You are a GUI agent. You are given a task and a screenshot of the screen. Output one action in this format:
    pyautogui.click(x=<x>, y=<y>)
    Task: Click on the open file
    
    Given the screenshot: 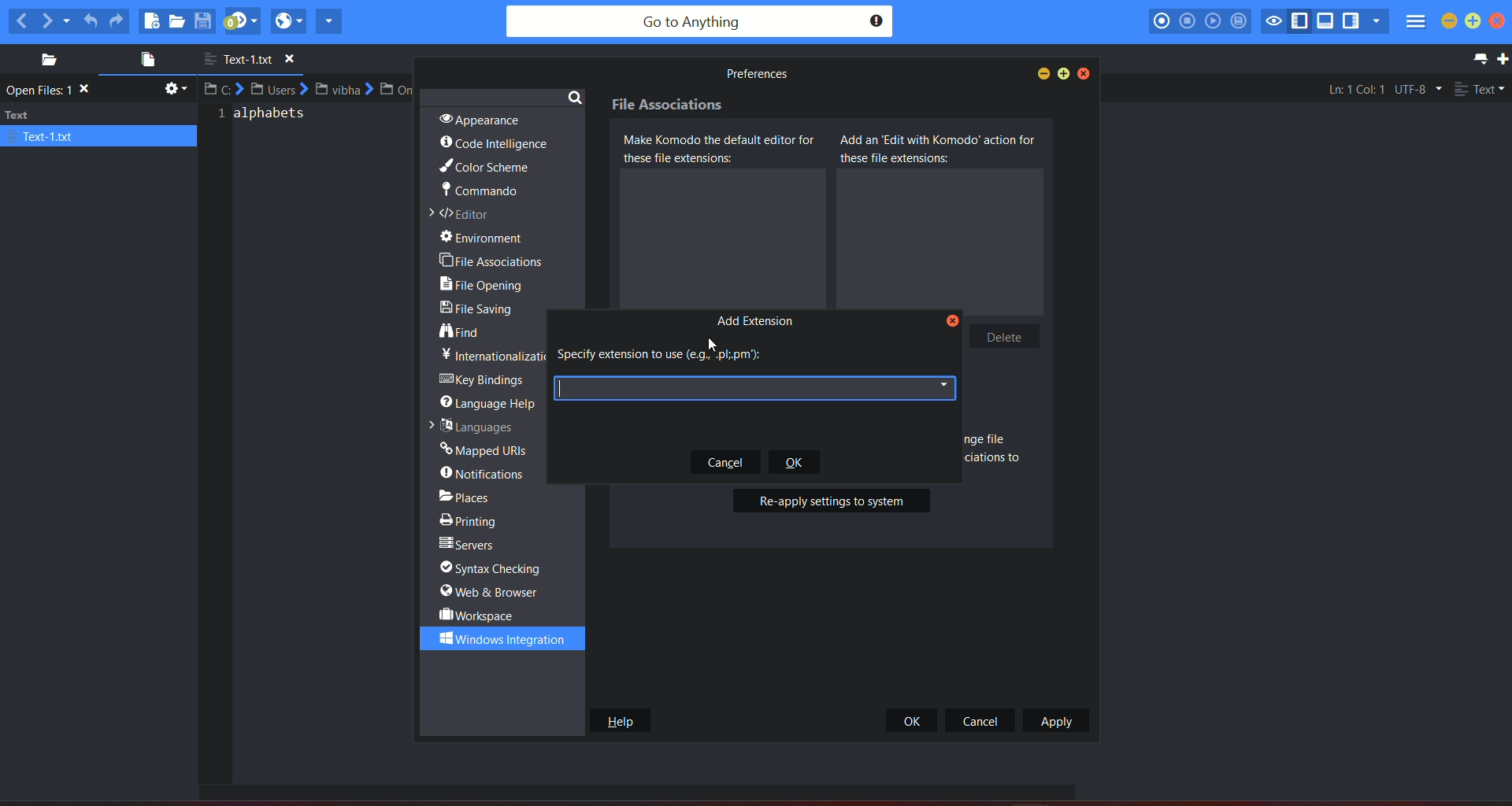 What is the action you would take?
    pyautogui.click(x=179, y=22)
    